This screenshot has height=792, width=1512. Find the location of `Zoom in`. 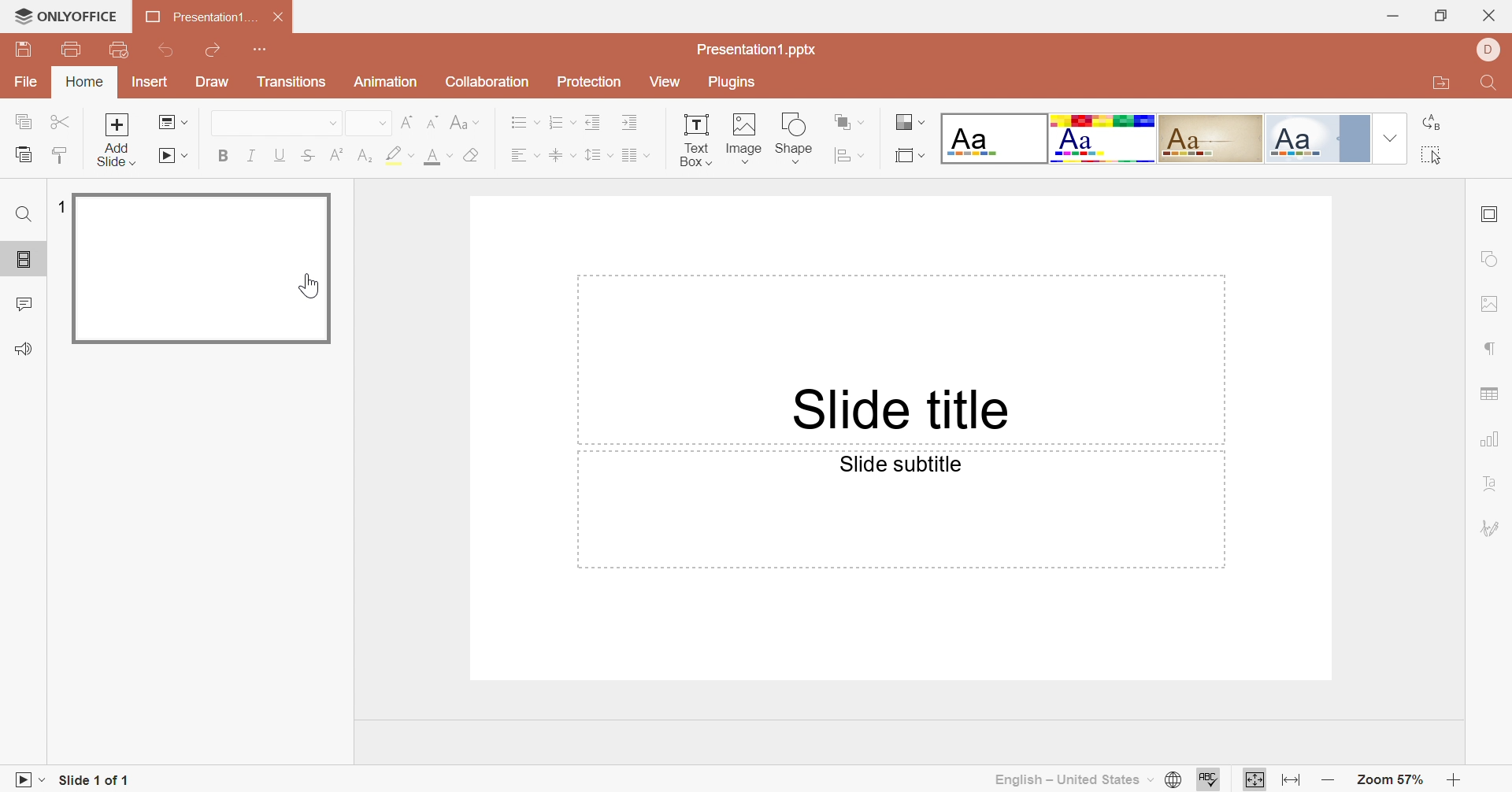

Zoom in is located at coordinates (1454, 779).